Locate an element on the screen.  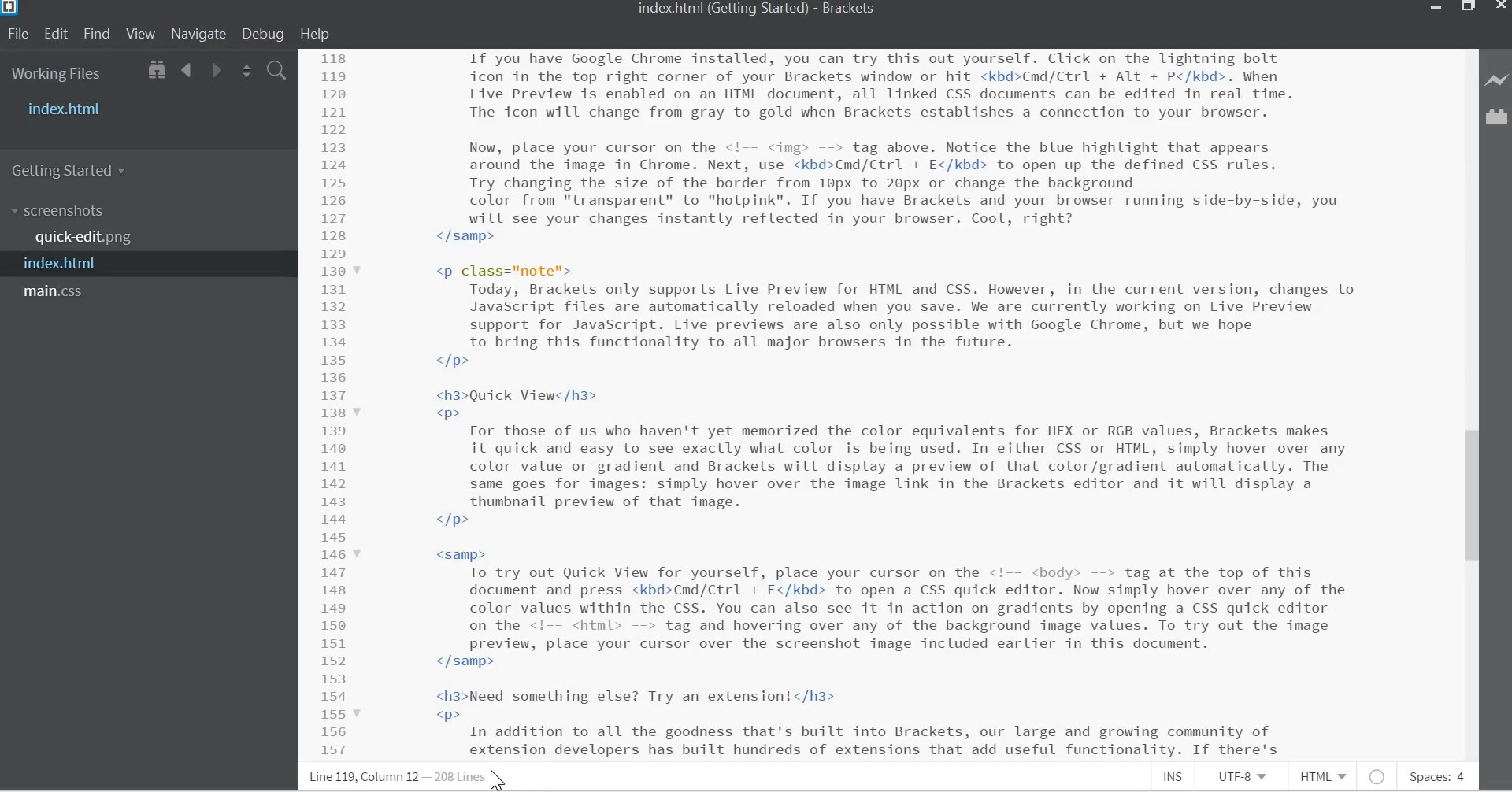
Lines is located at coordinates (461, 776).